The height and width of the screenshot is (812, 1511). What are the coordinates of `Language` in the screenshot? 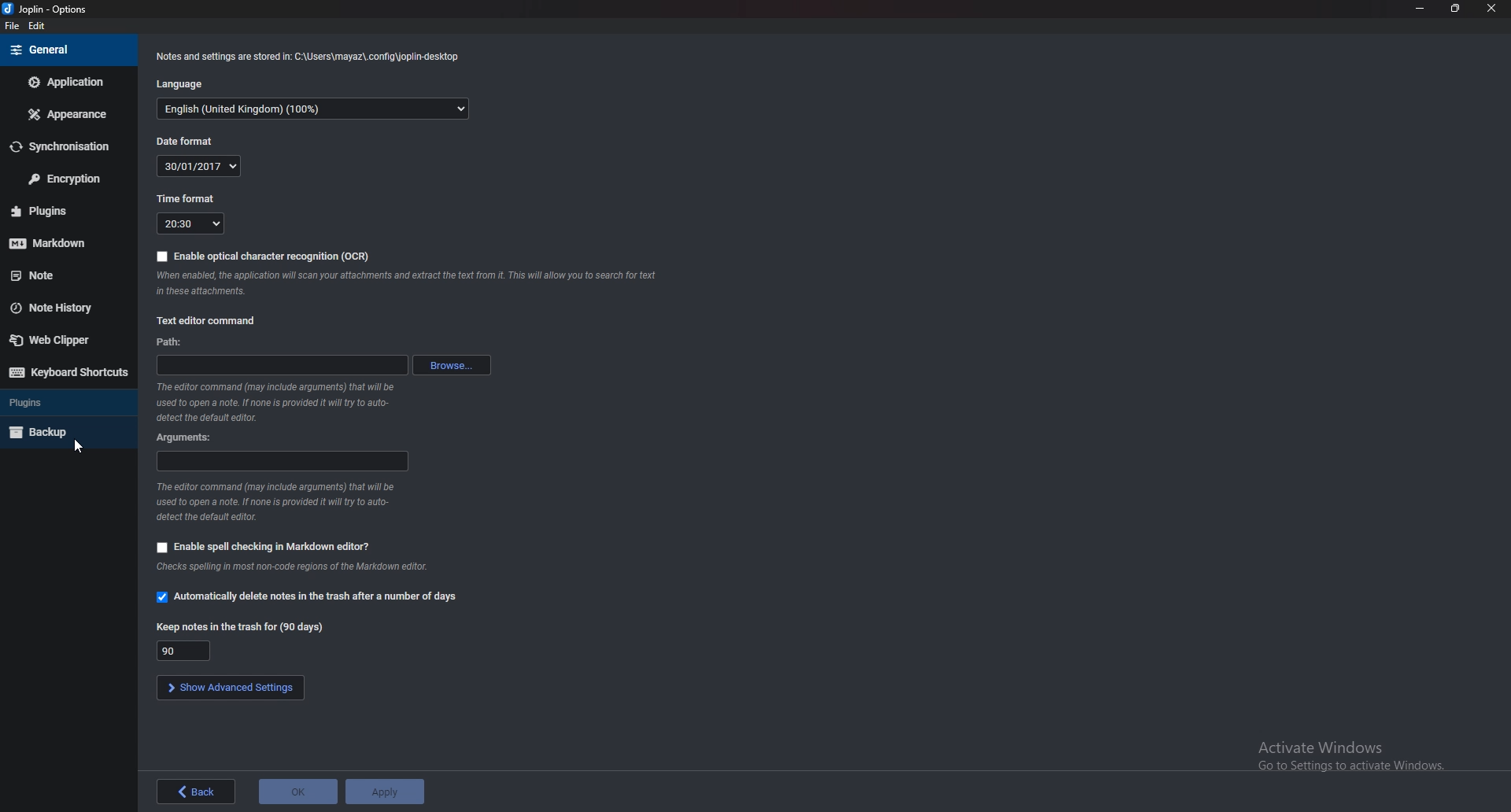 It's located at (312, 109).